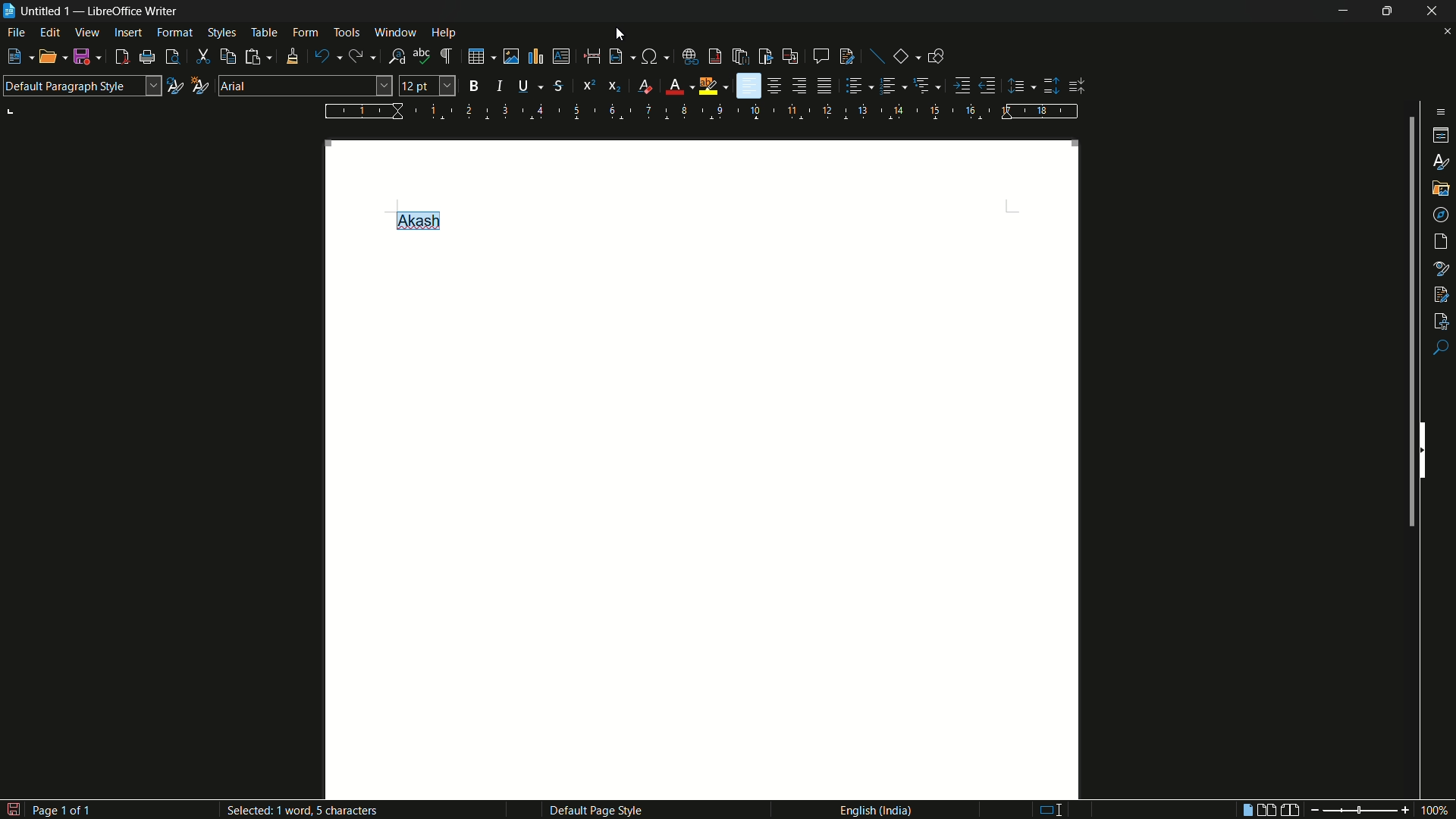  I want to click on insert end note, so click(742, 58).